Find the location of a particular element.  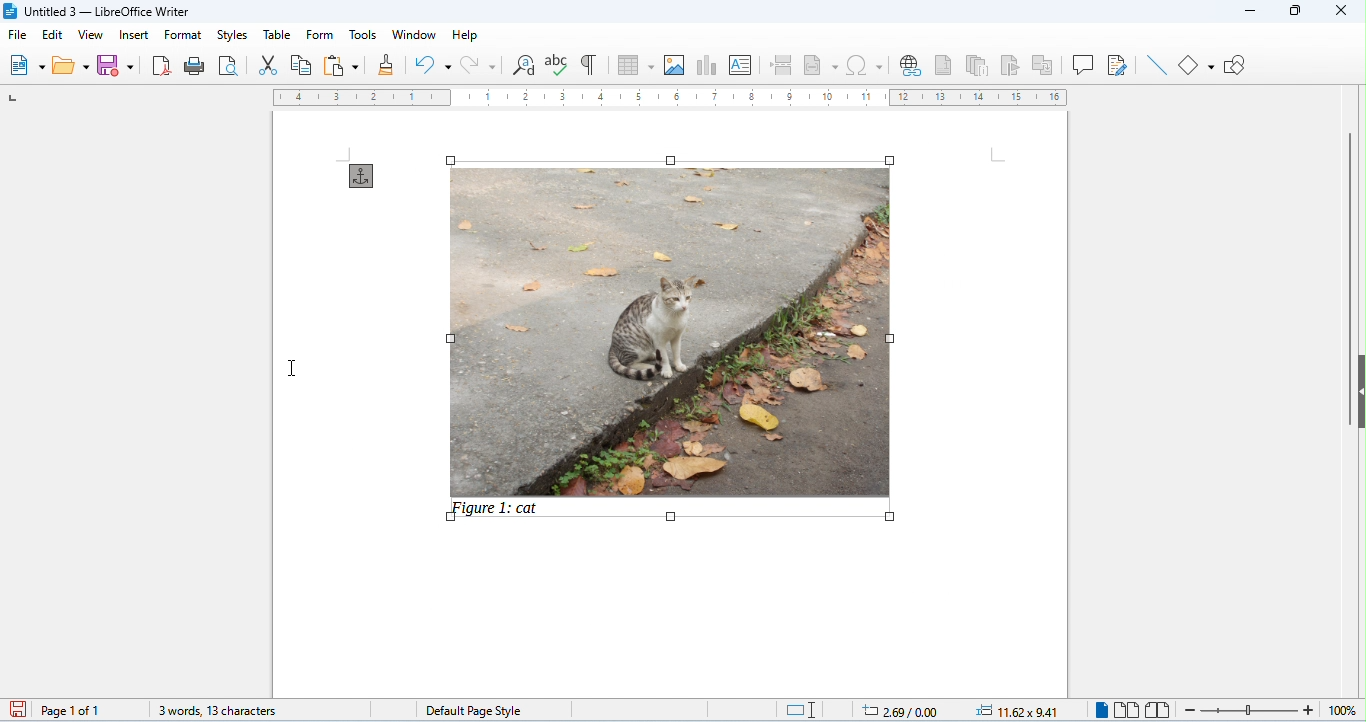

page 1 of 1 is located at coordinates (72, 710).